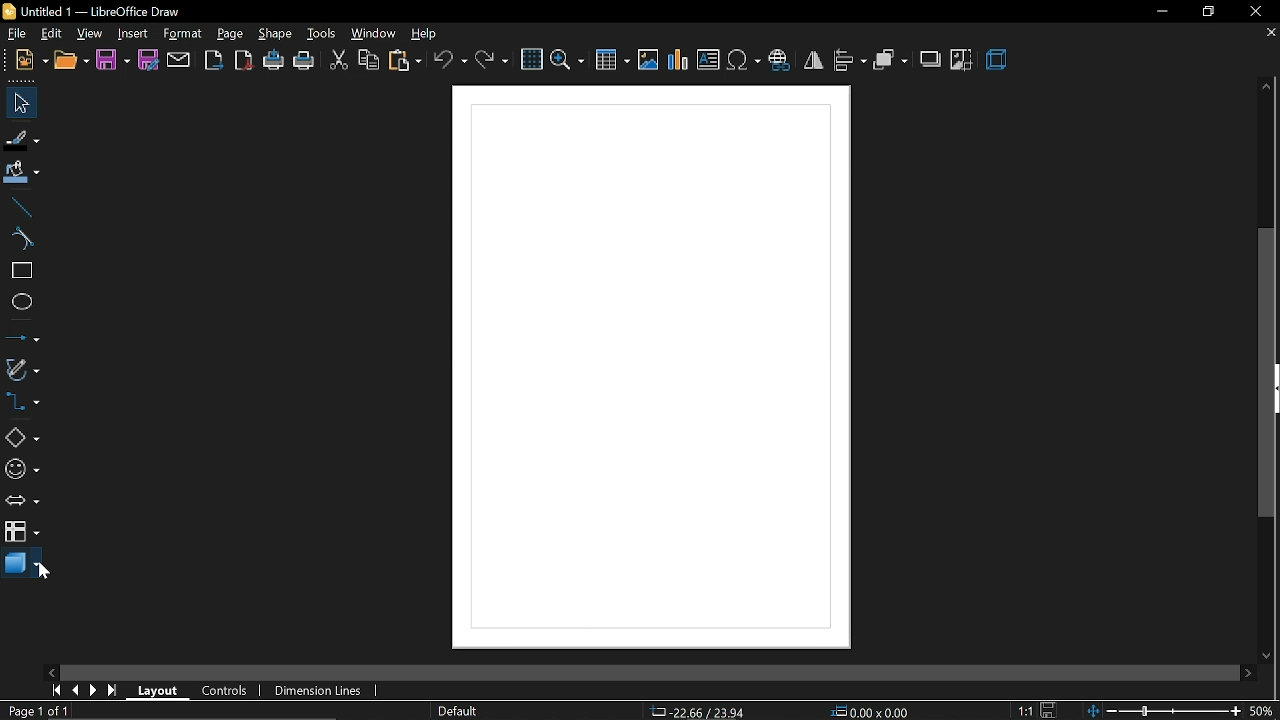 The width and height of the screenshot is (1280, 720). What do you see at coordinates (18, 301) in the screenshot?
I see `ellipse` at bounding box center [18, 301].